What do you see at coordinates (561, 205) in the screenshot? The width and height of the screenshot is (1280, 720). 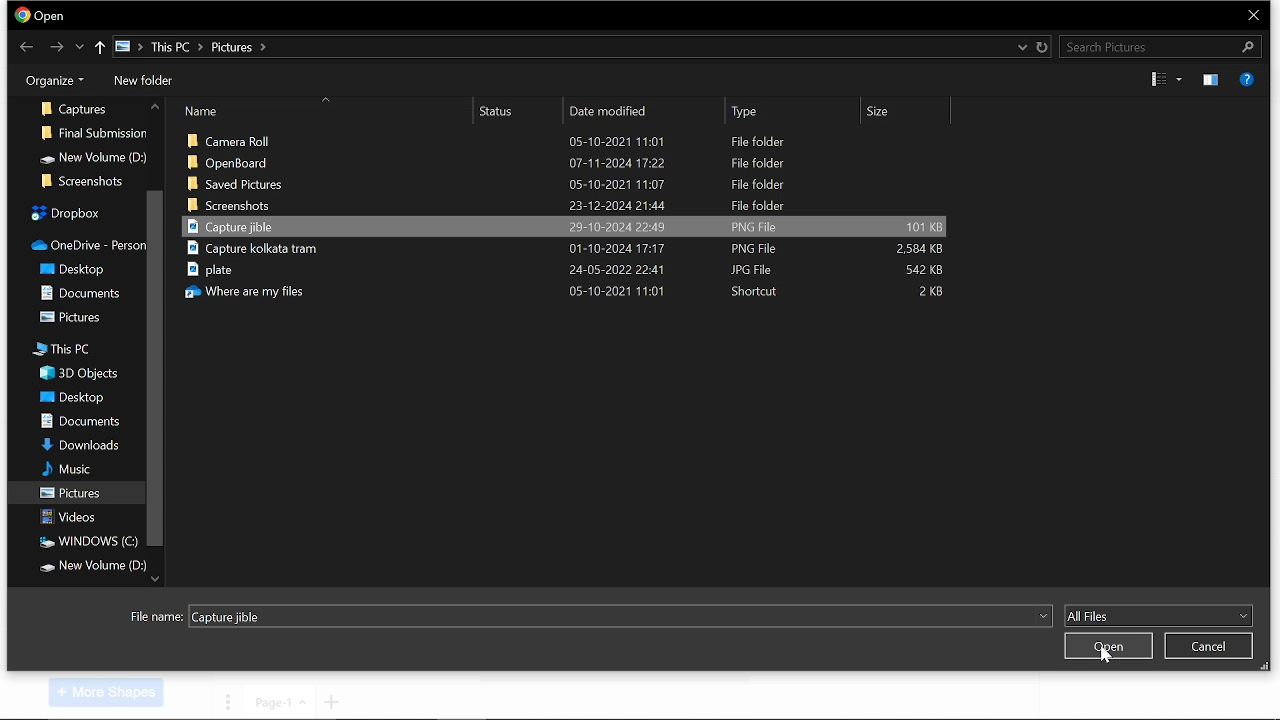 I see `files` at bounding box center [561, 205].